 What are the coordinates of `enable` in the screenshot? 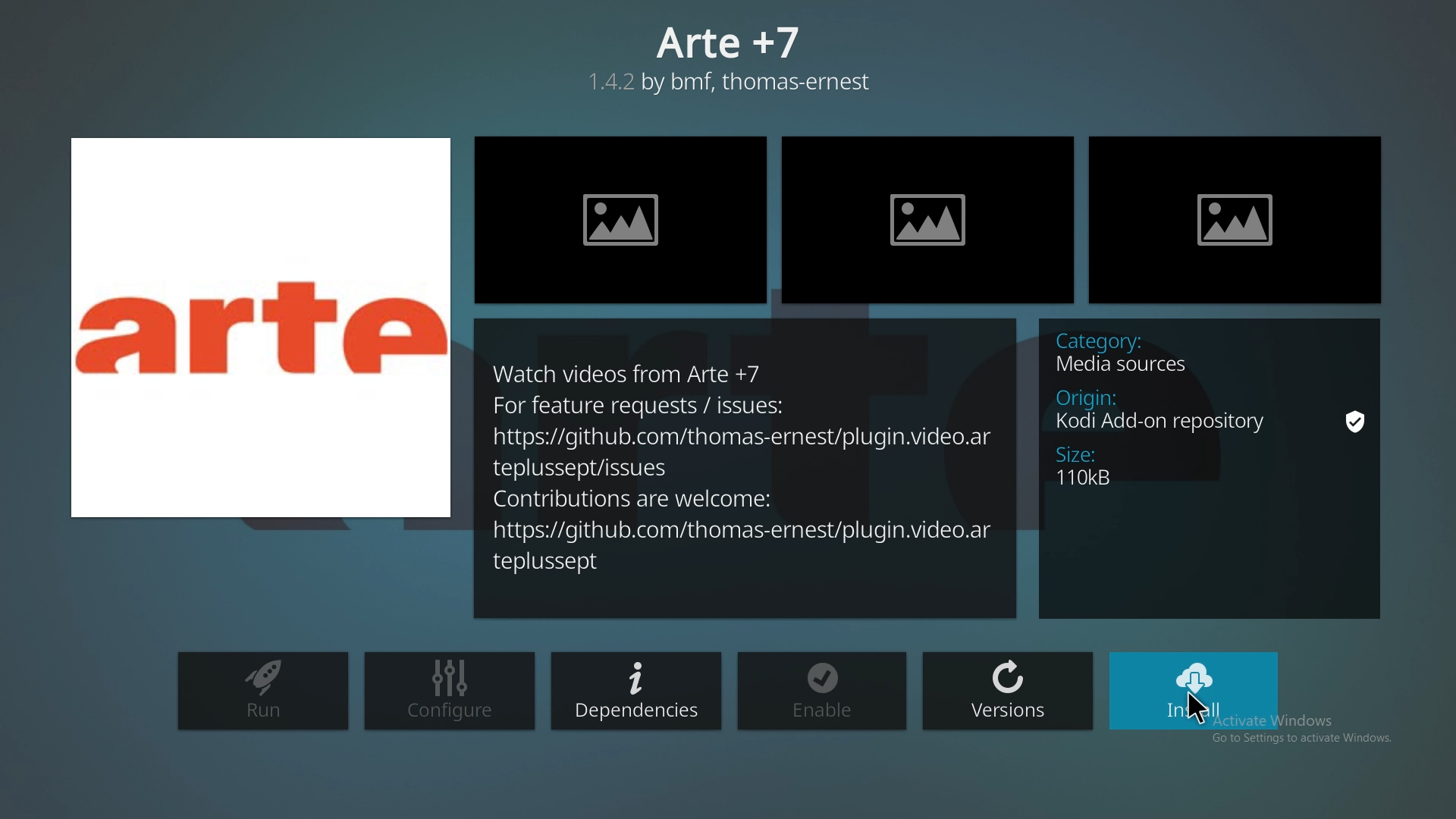 It's located at (820, 692).